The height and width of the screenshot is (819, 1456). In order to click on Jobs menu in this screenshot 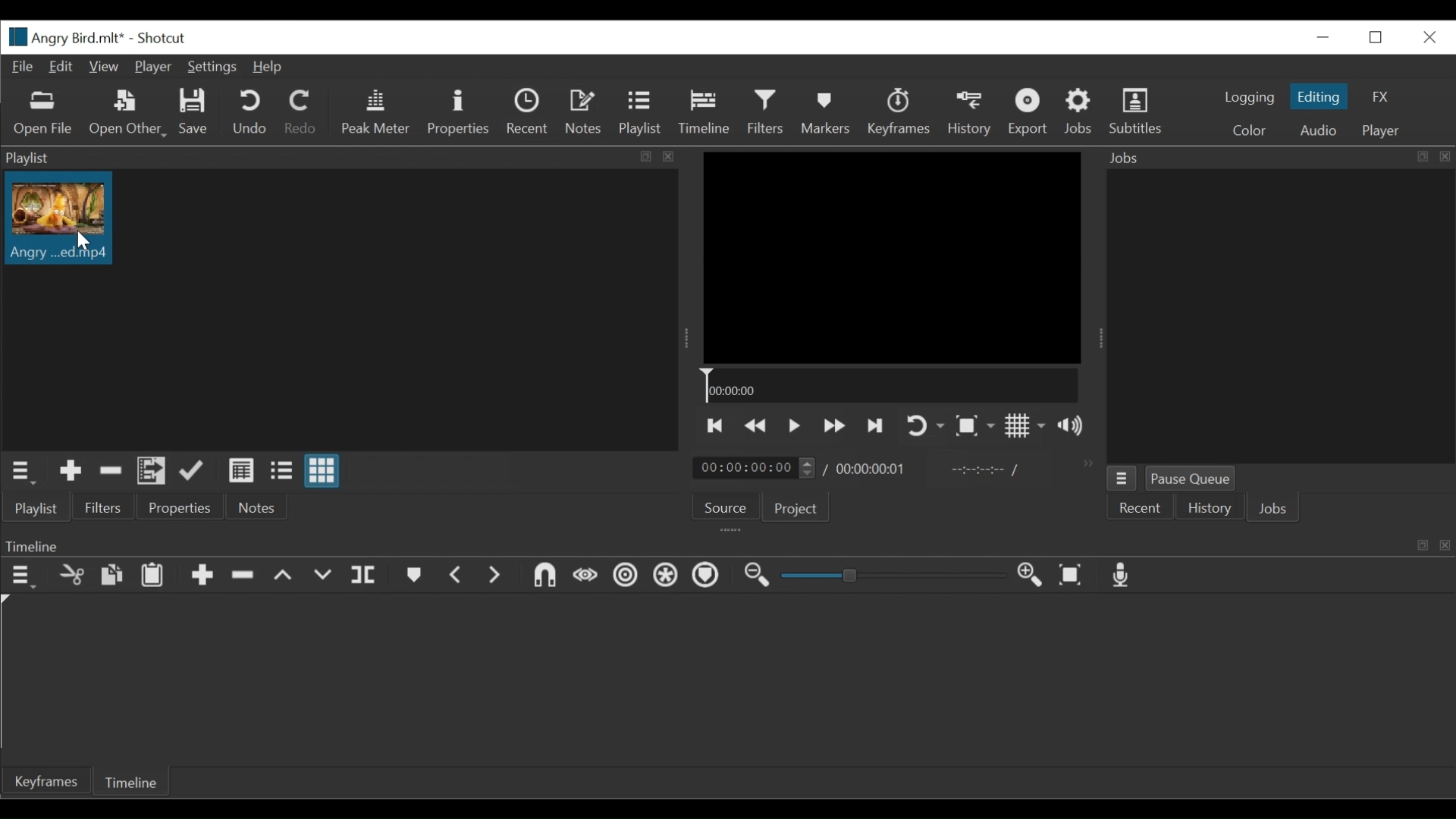, I will do `click(1122, 479)`.